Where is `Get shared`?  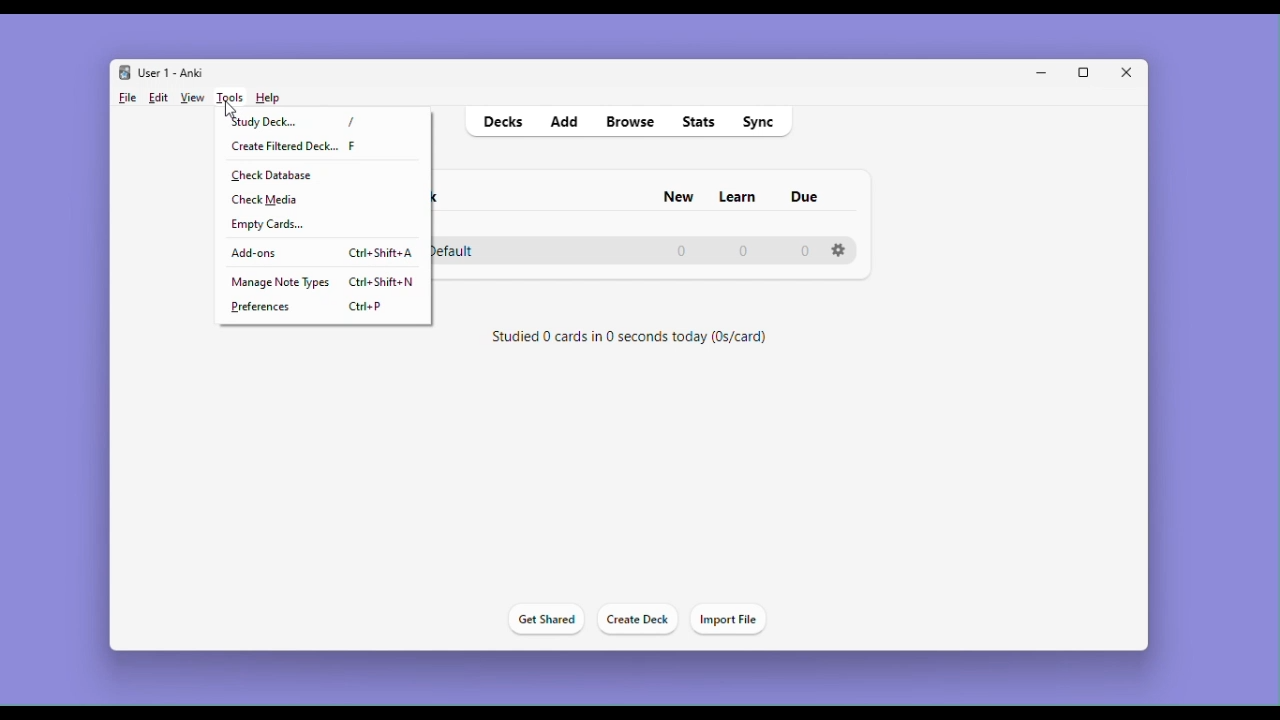 Get shared is located at coordinates (550, 622).